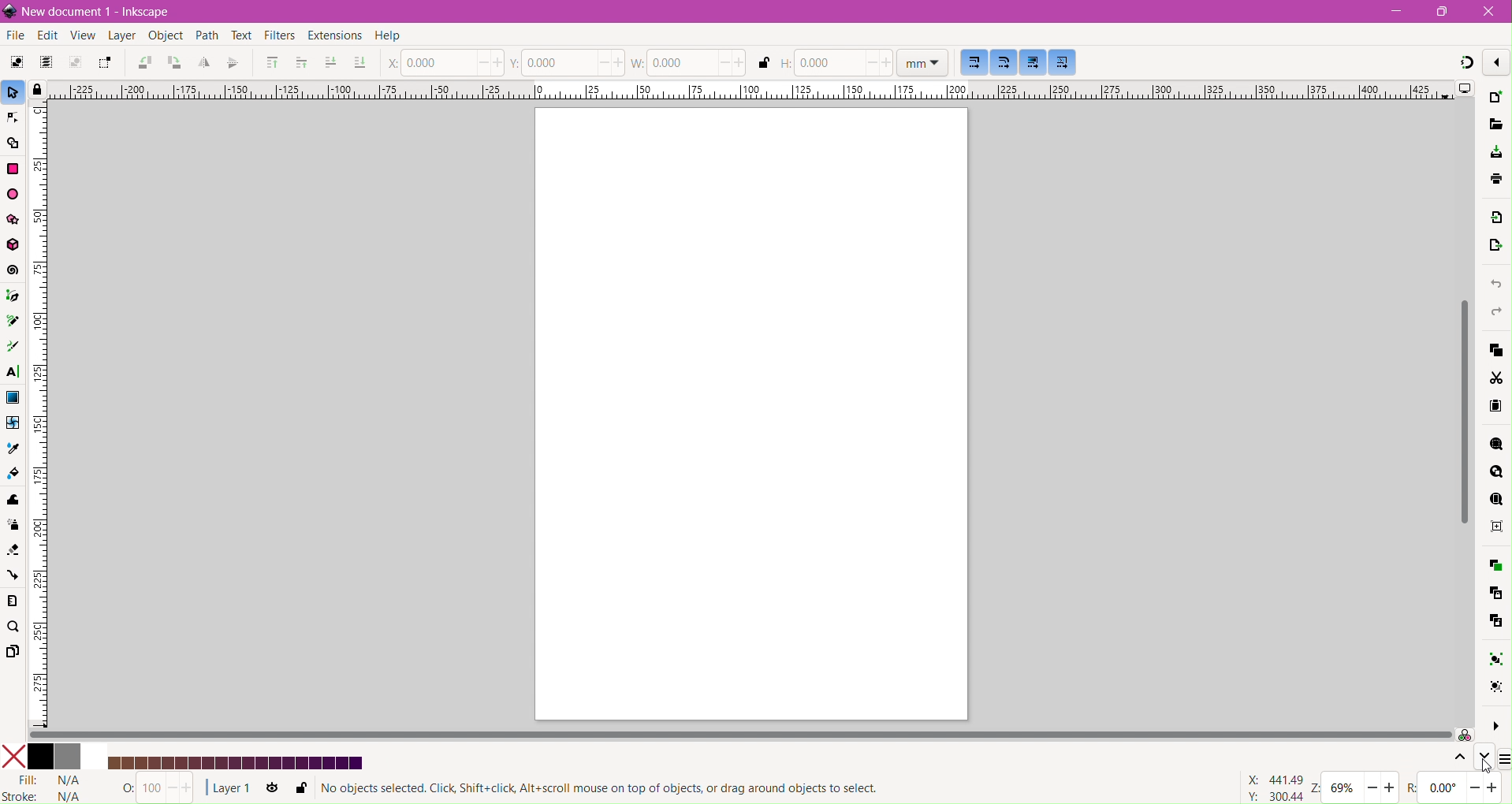  Describe the element at coordinates (13, 321) in the screenshot. I see `Pencil Tool` at that location.